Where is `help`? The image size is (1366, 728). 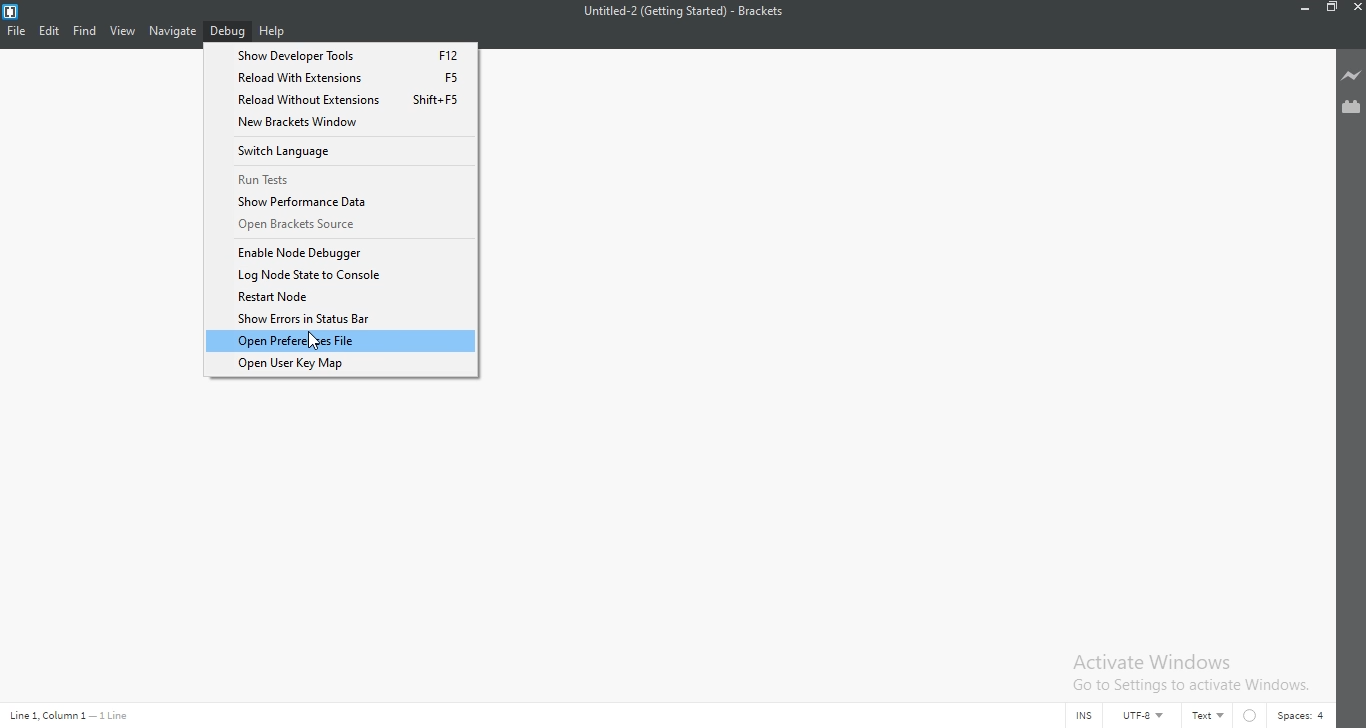 help is located at coordinates (273, 31).